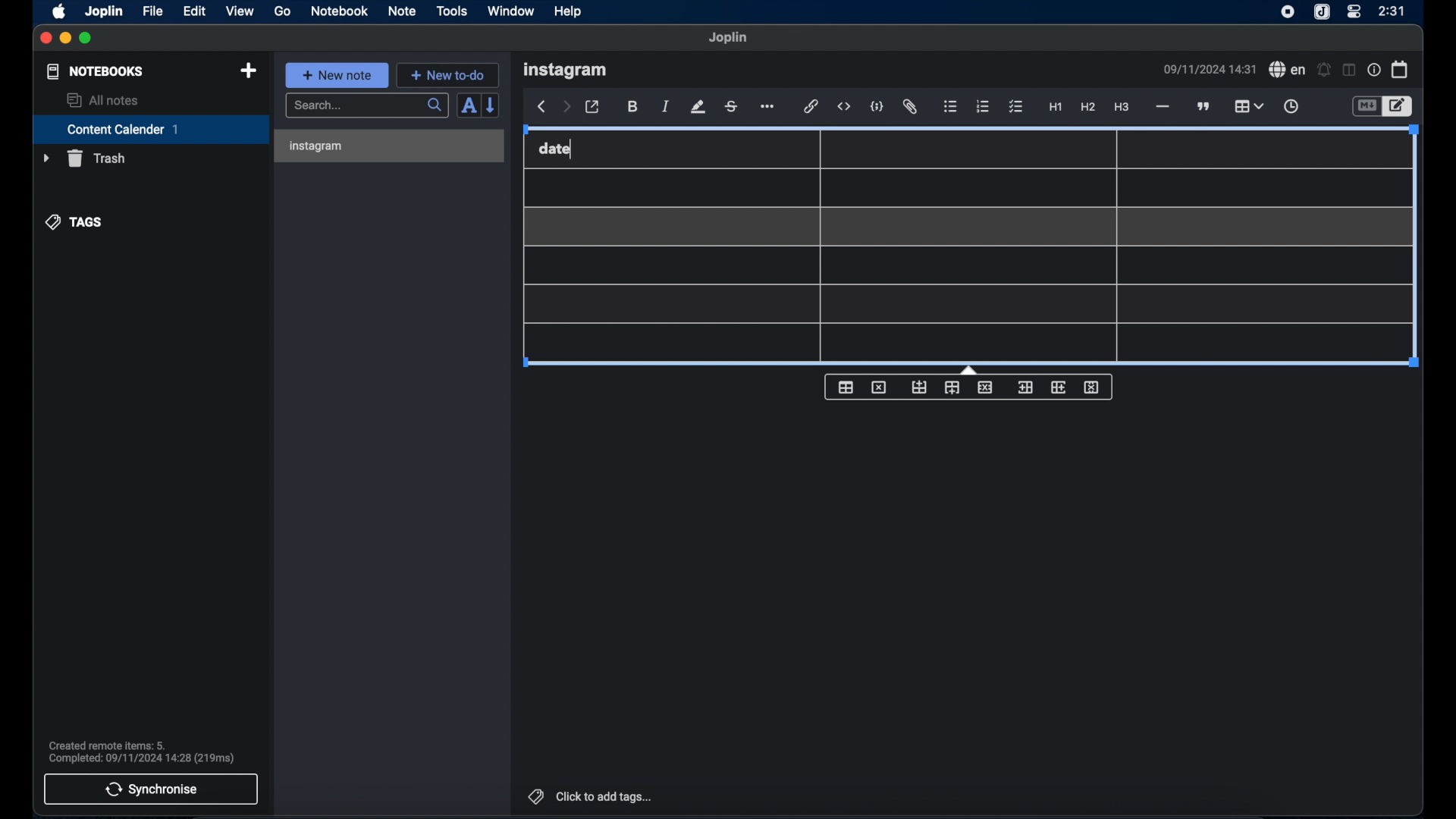 The width and height of the screenshot is (1456, 819). What do you see at coordinates (1349, 71) in the screenshot?
I see `toggle editor layout` at bounding box center [1349, 71].